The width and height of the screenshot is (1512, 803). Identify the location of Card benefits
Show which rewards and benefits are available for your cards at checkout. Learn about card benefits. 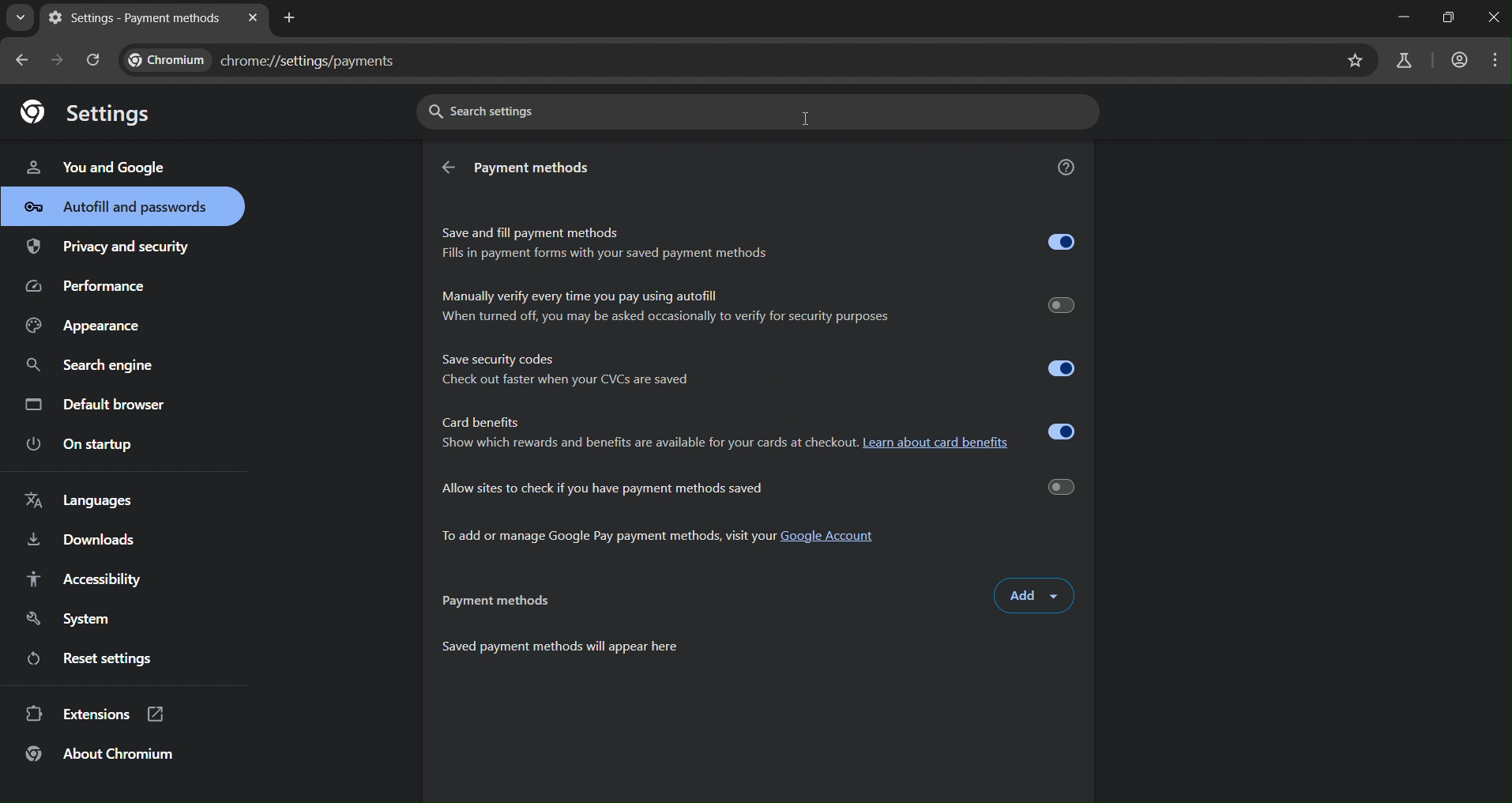
(755, 433).